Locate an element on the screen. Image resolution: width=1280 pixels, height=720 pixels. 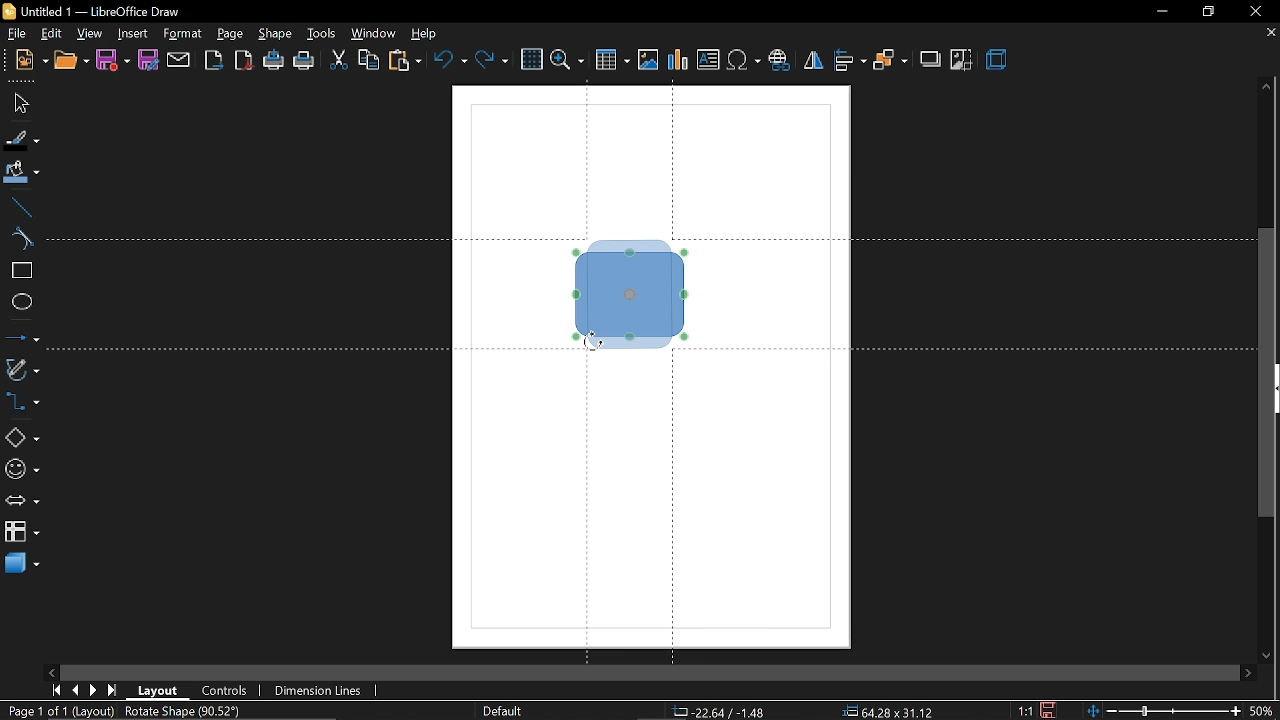
flip is located at coordinates (813, 60).